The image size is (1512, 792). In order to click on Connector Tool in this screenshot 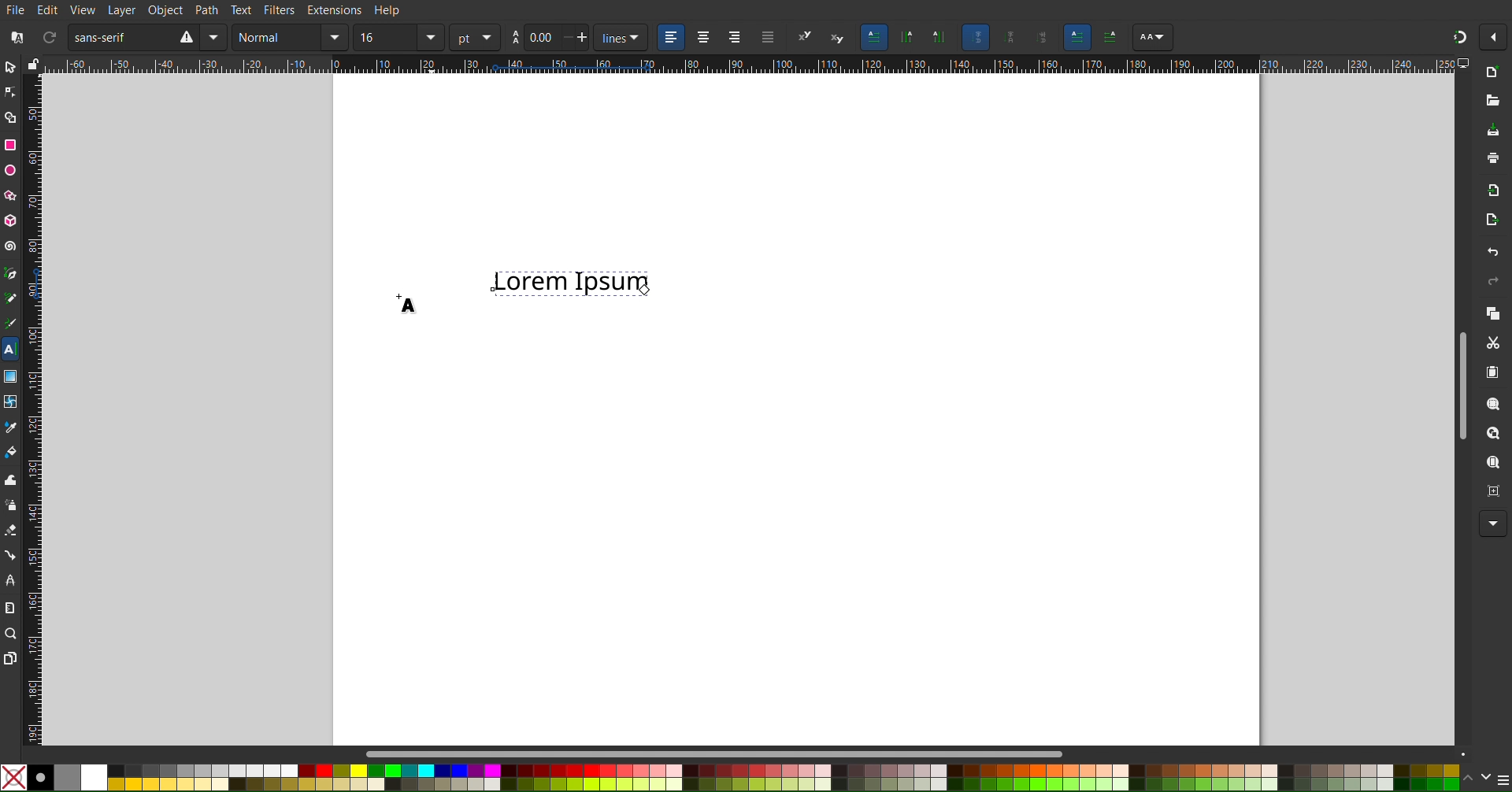, I will do `click(9, 555)`.